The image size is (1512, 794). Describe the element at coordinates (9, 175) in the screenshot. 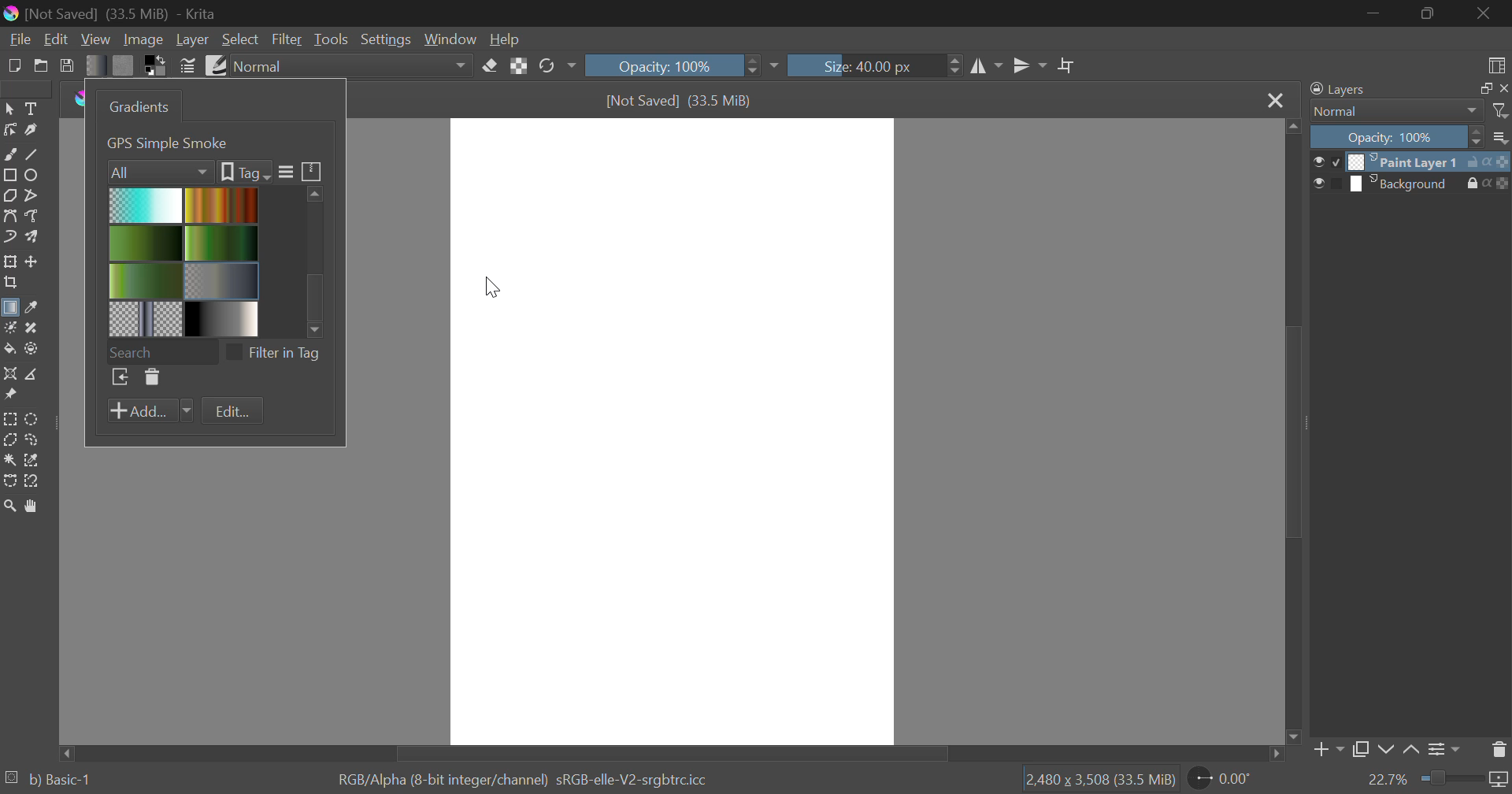

I see `Rectangle` at that location.